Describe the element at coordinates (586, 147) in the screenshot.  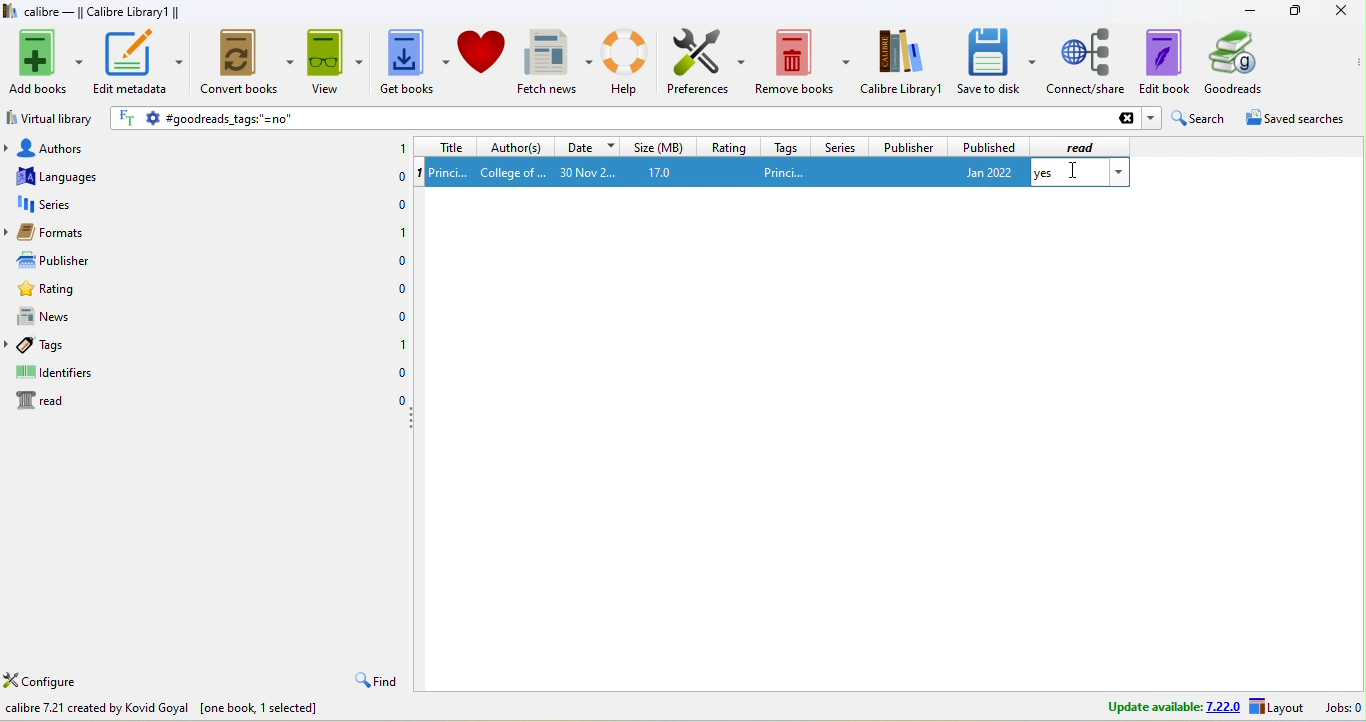
I see `date` at that location.